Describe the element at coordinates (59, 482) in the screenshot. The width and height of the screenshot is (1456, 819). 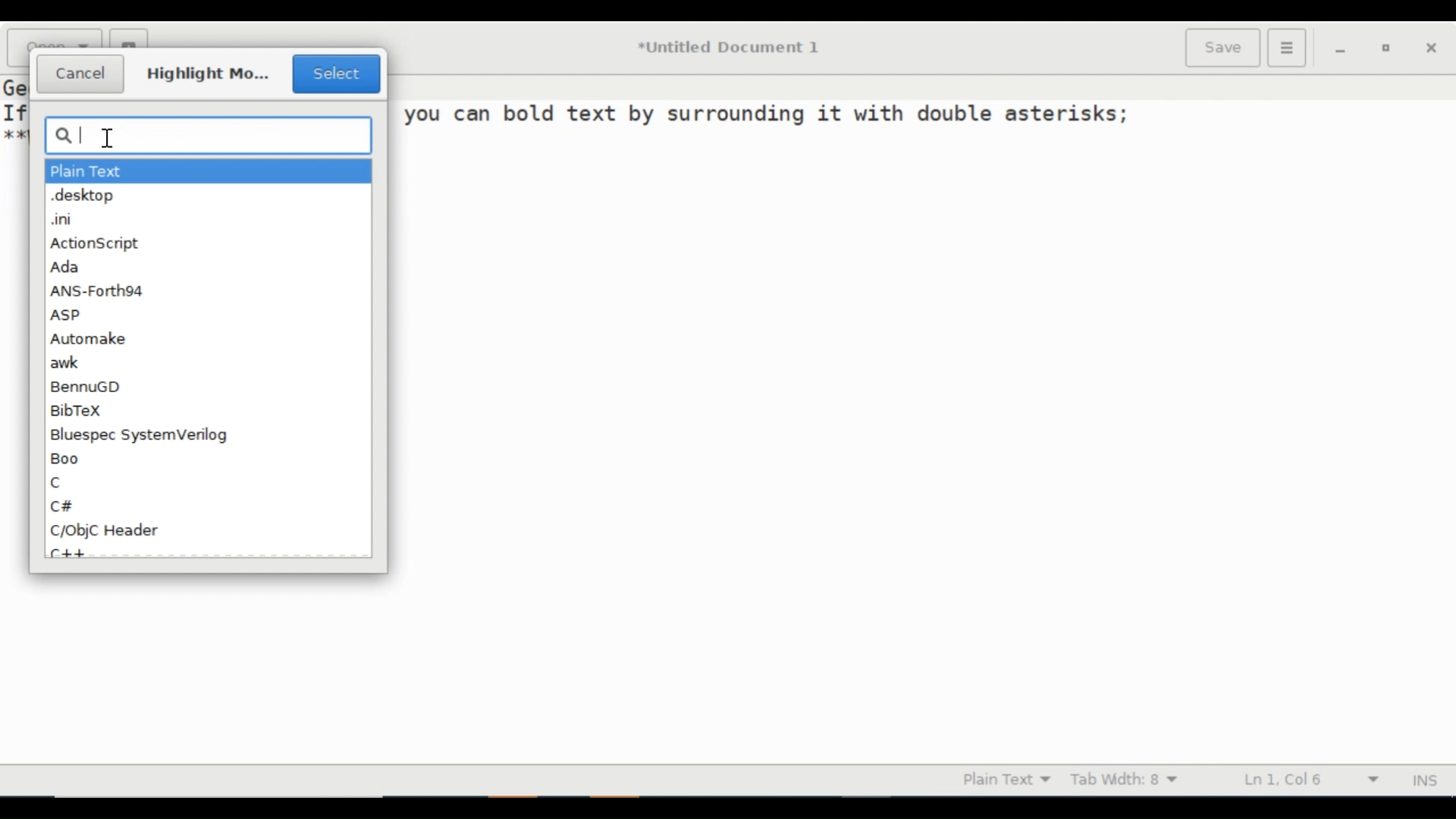
I see `C` at that location.